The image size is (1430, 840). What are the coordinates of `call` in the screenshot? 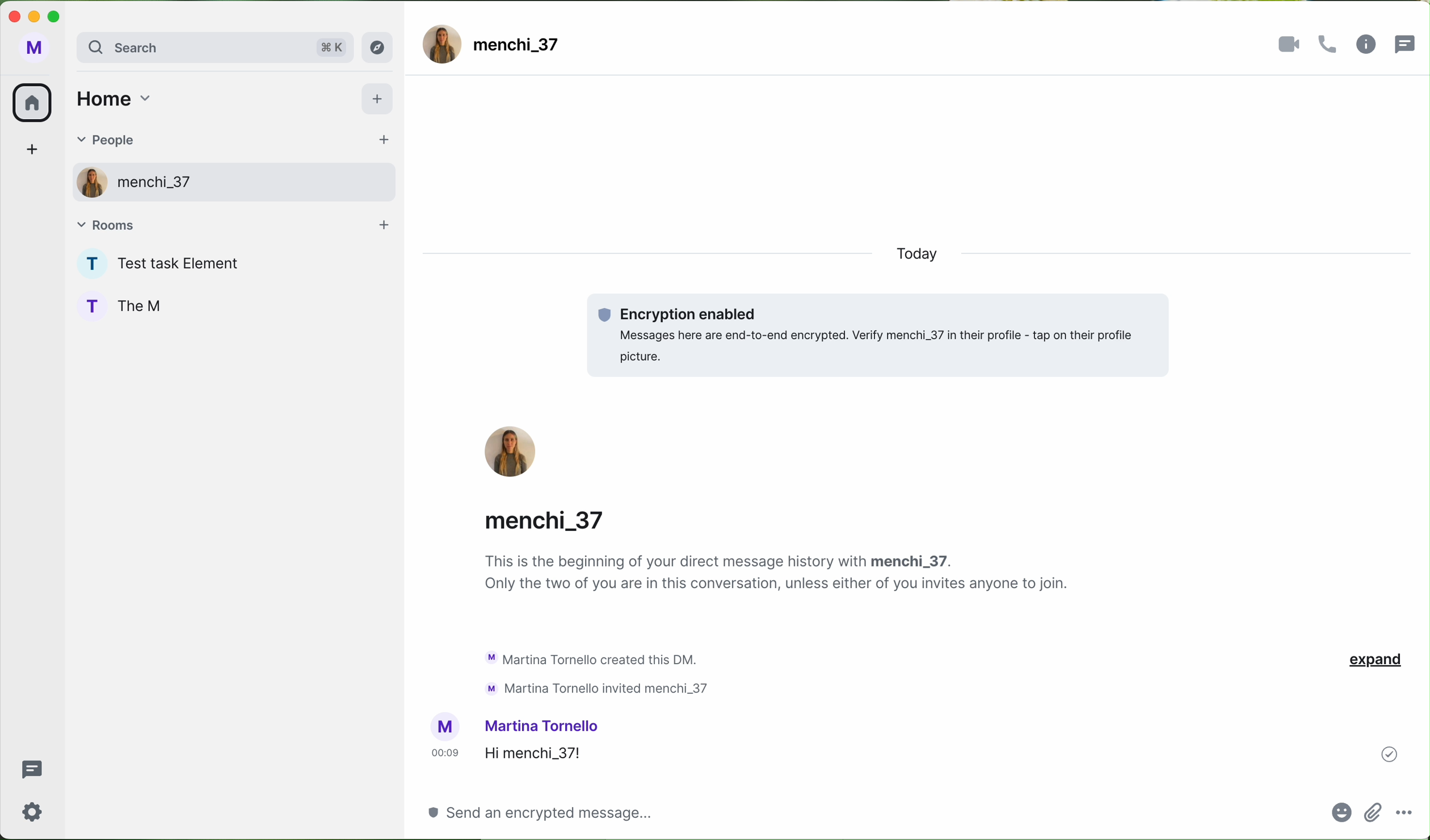 It's located at (1331, 45).